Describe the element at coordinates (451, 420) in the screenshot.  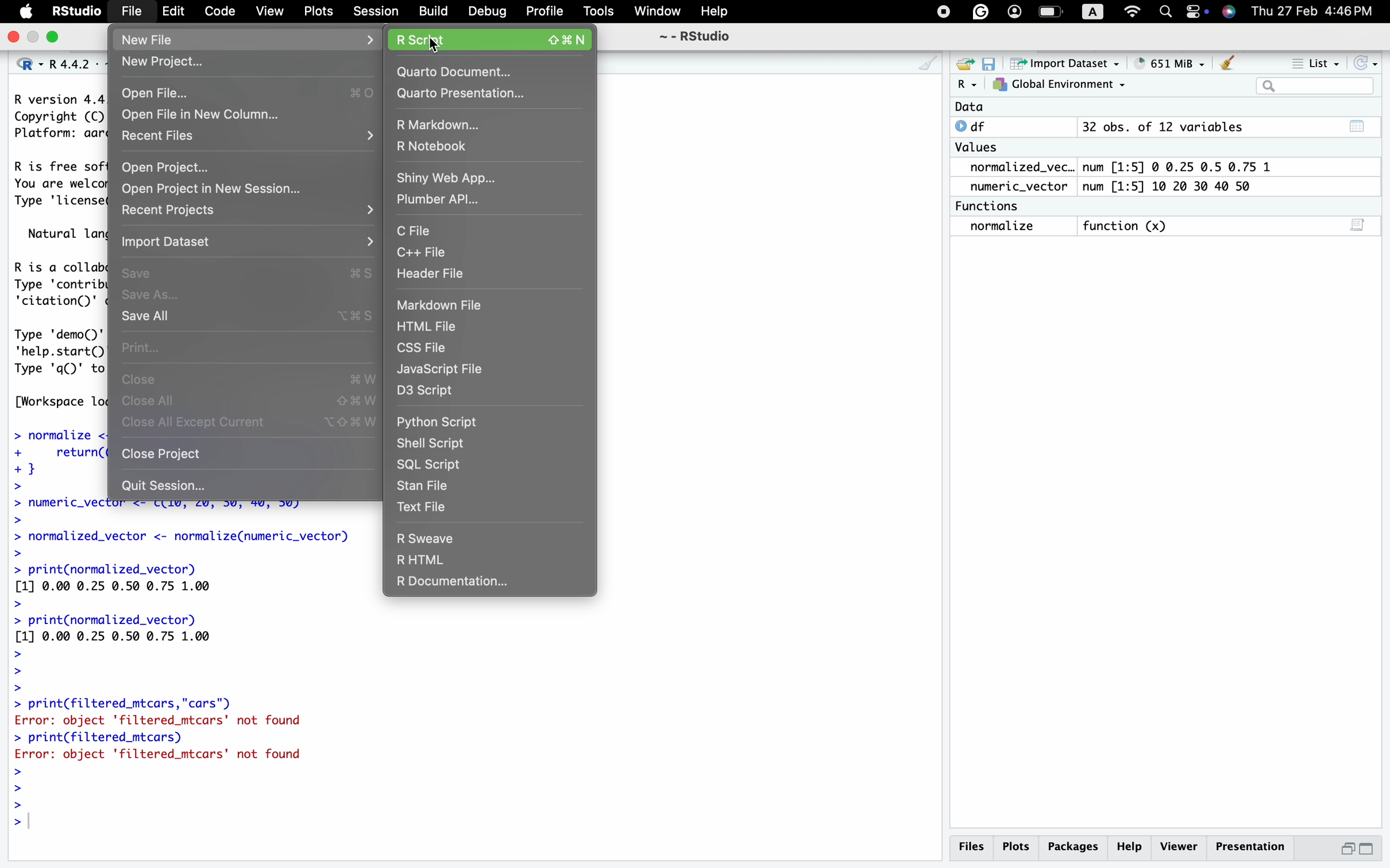
I see `Python Script` at that location.